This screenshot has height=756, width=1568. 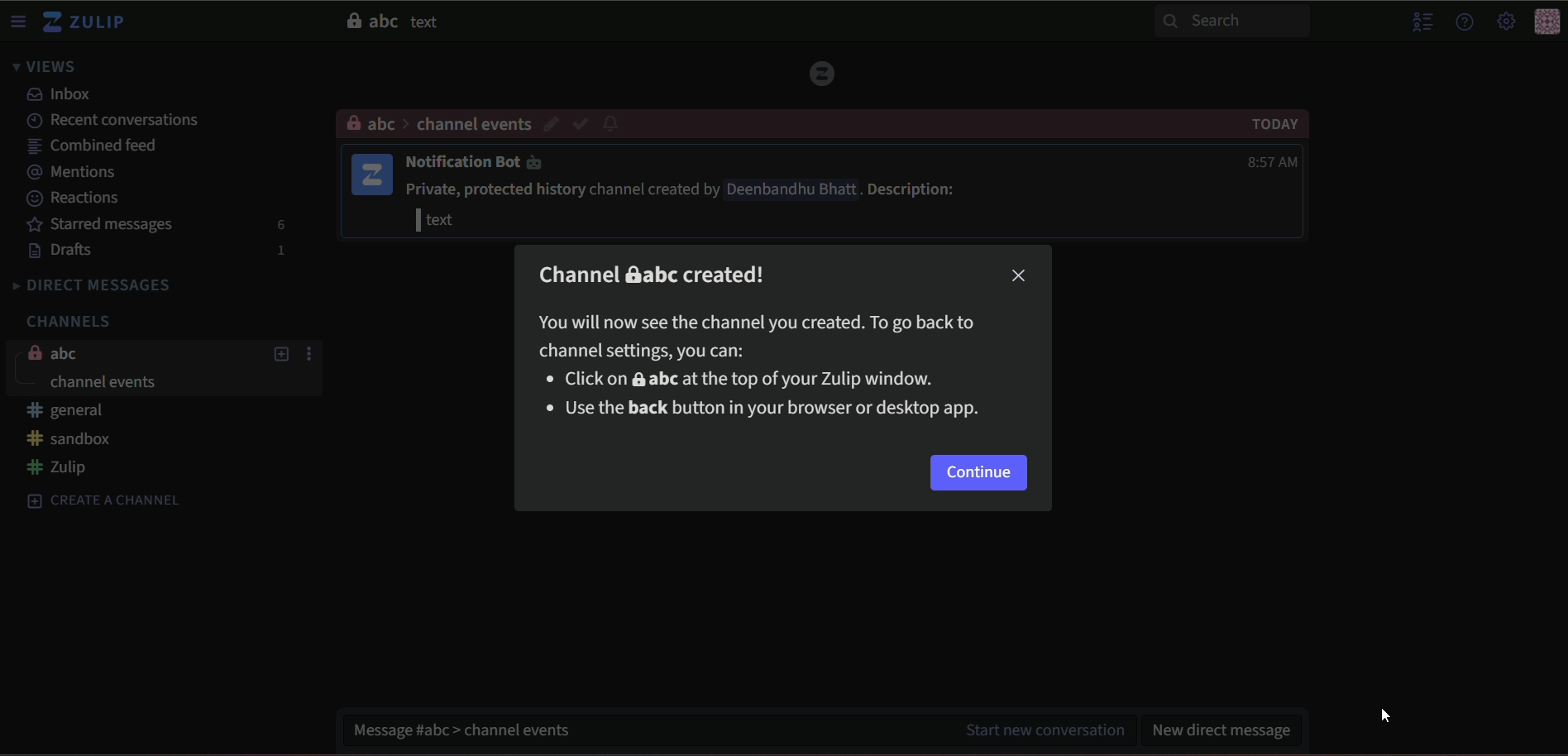 I want to click on starred messages, so click(x=100, y=225).